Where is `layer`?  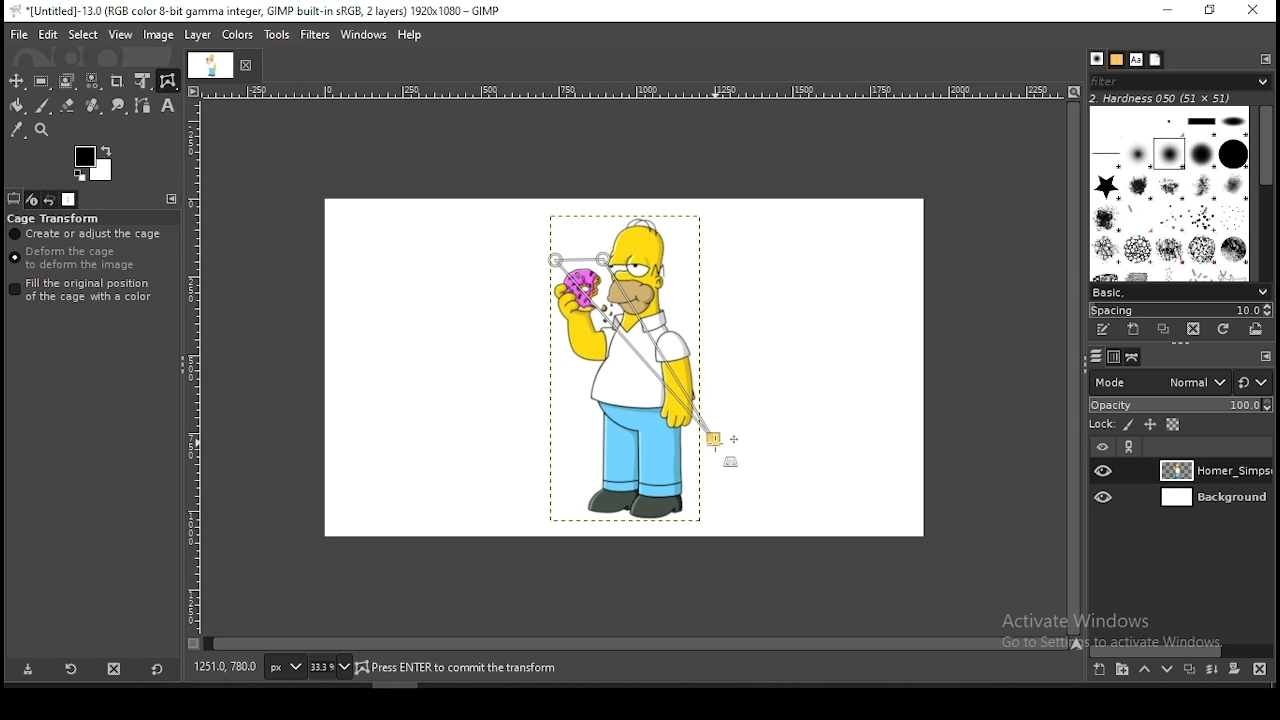
layer is located at coordinates (1211, 499).